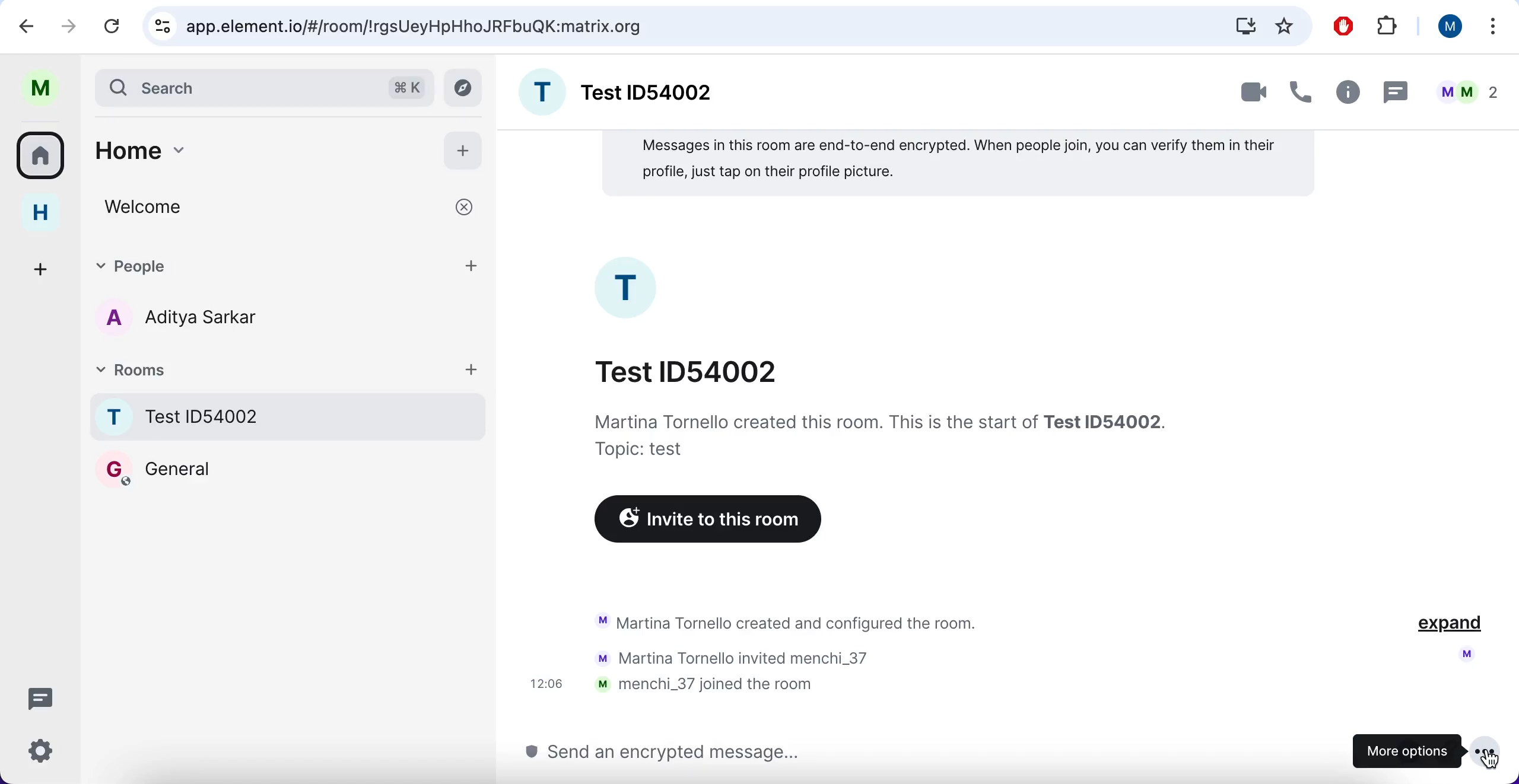 This screenshot has height=784, width=1519. What do you see at coordinates (1486, 756) in the screenshot?
I see `cursor on more options` at bounding box center [1486, 756].